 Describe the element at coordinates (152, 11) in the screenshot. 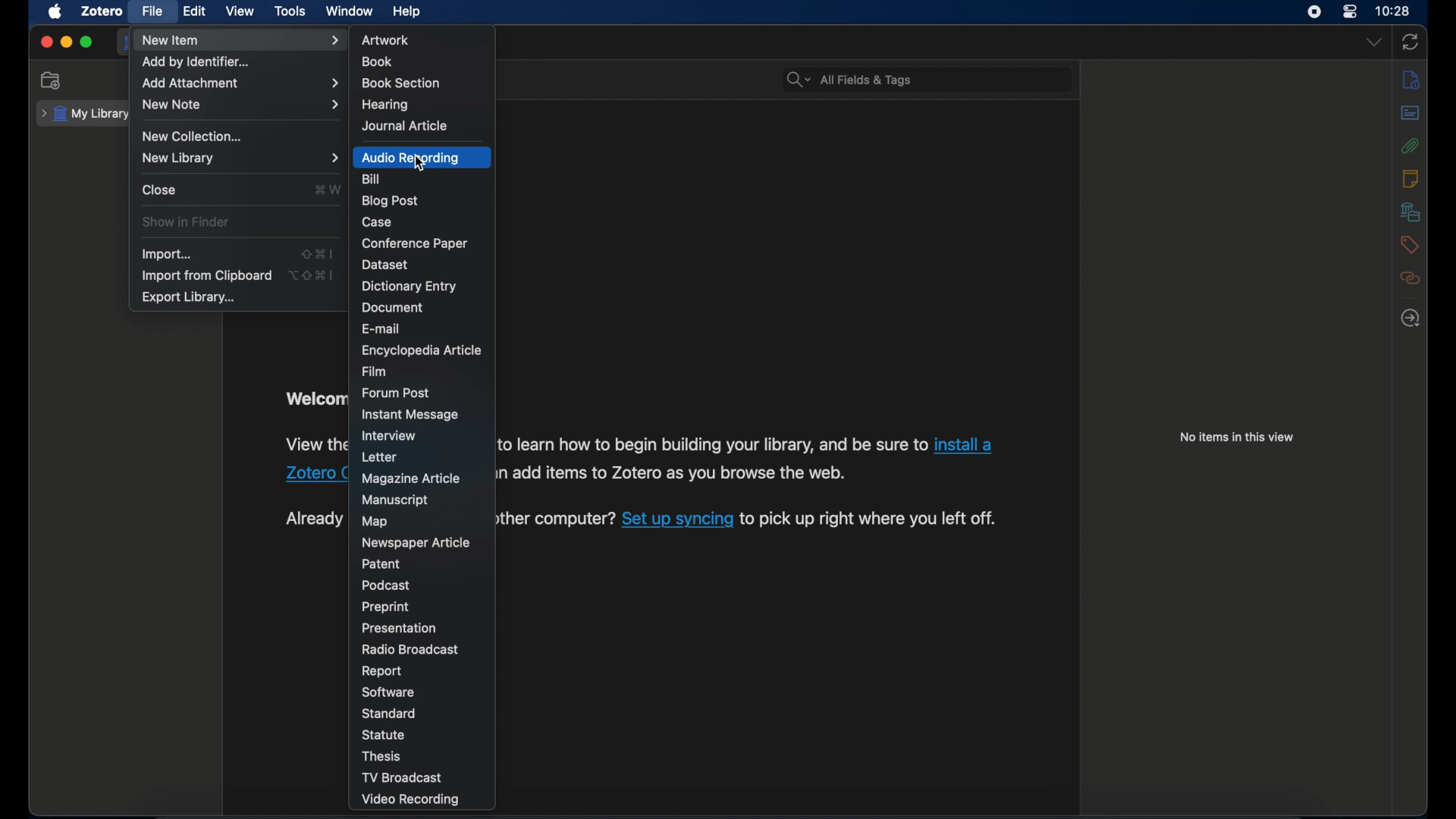

I see `file` at that location.